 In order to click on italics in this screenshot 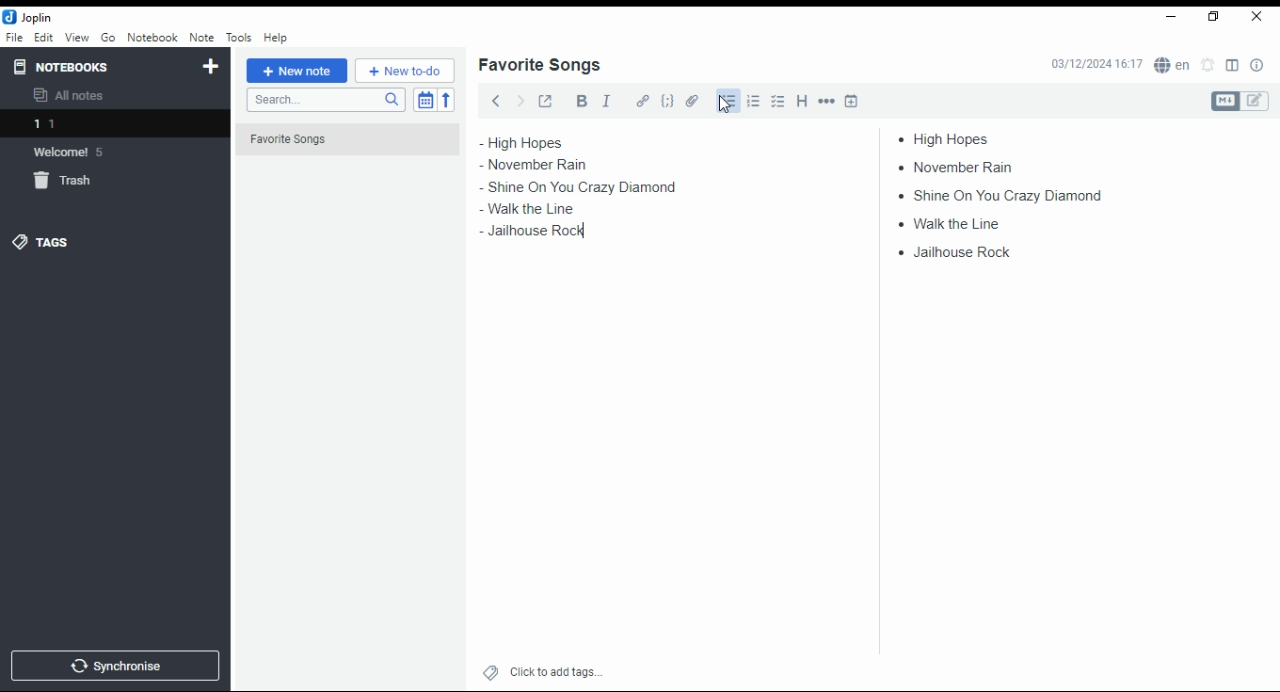, I will do `click(606, 100)`.